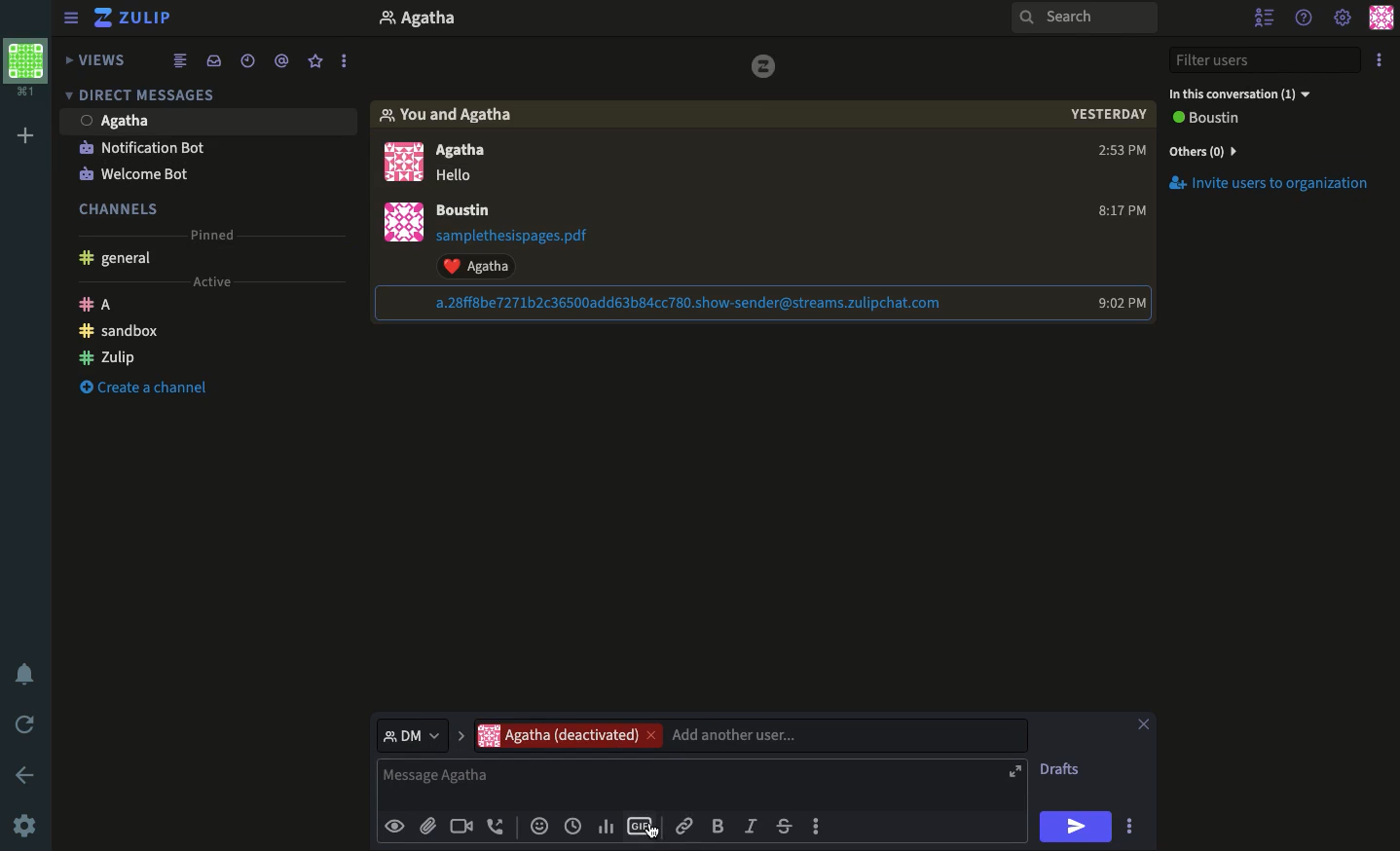  Describe the element at coordinates (186, 61) in the screenshot. I see `Feed` at that location.